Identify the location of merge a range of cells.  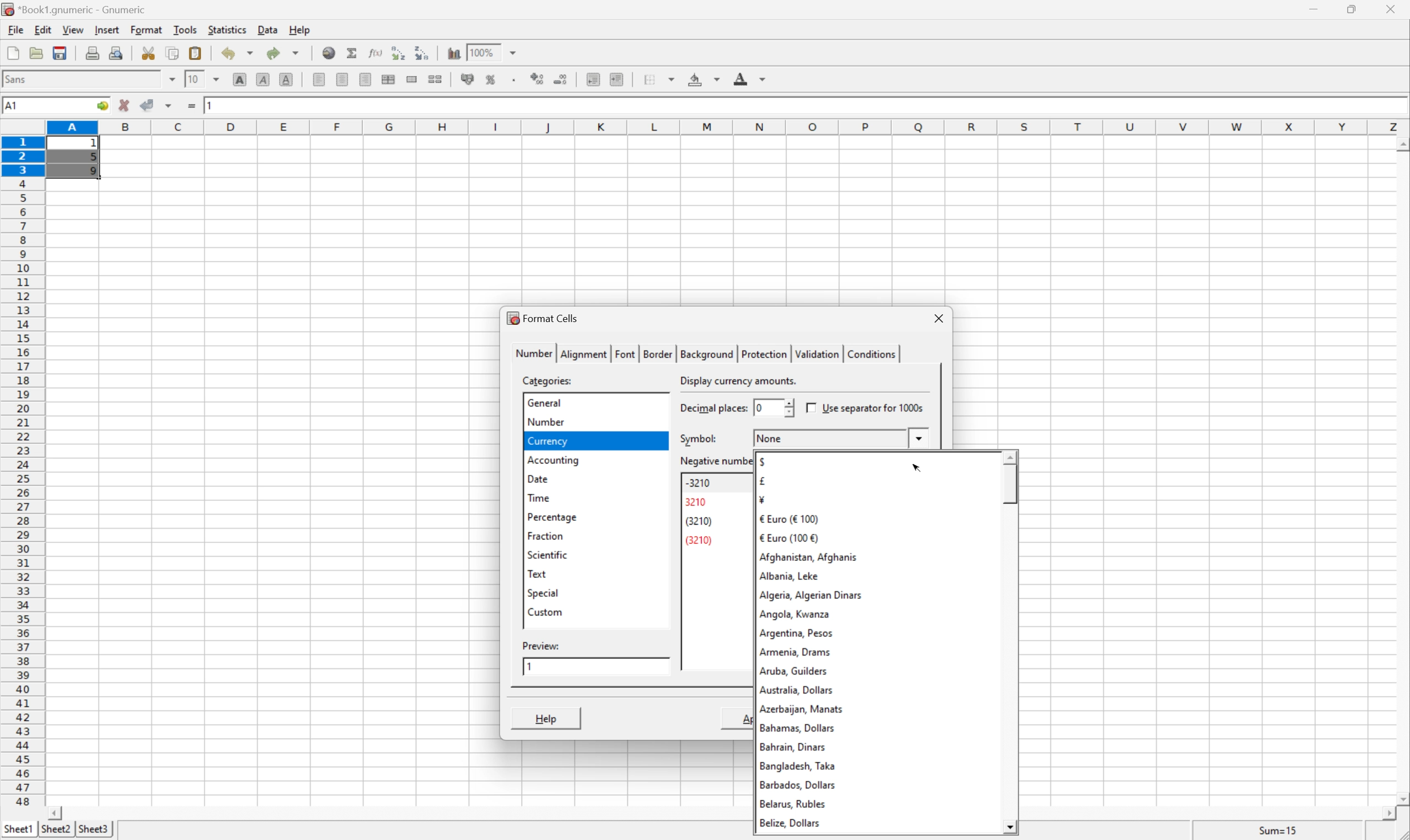
(415, 79).